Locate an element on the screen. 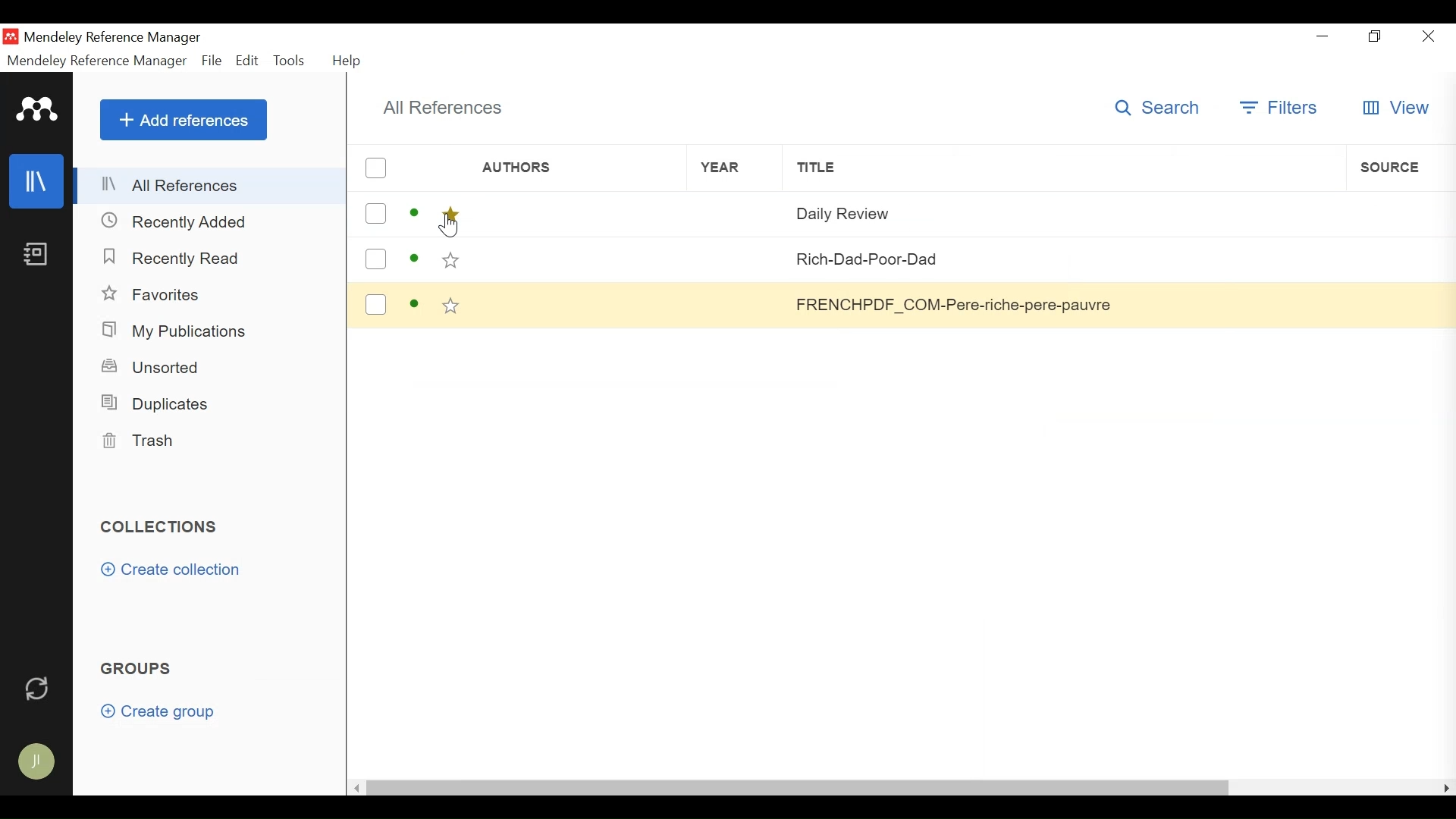  Scroll Left is located at coordinates (356, 789).